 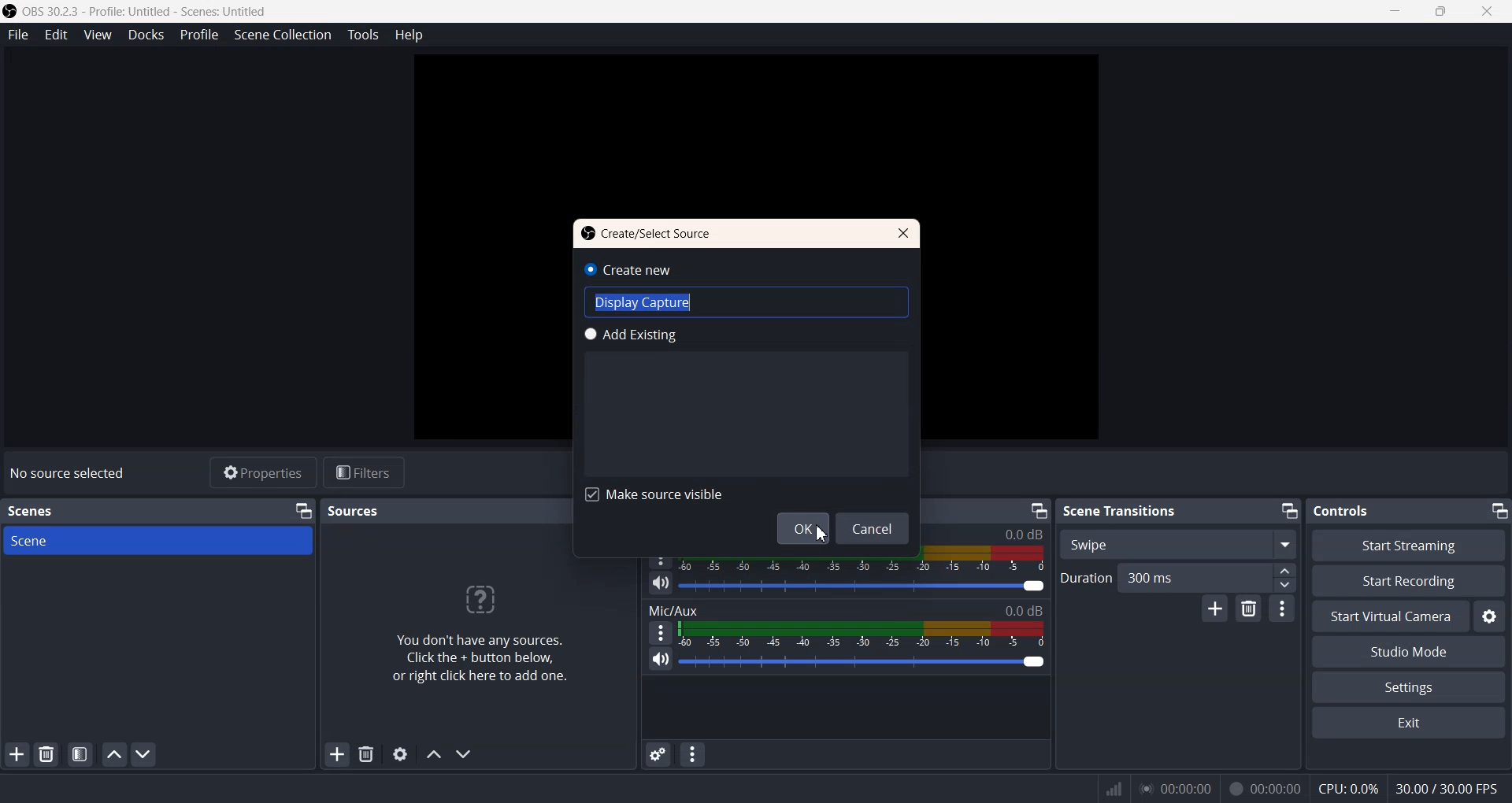 I want to click on View, so click(x=97, y=35).